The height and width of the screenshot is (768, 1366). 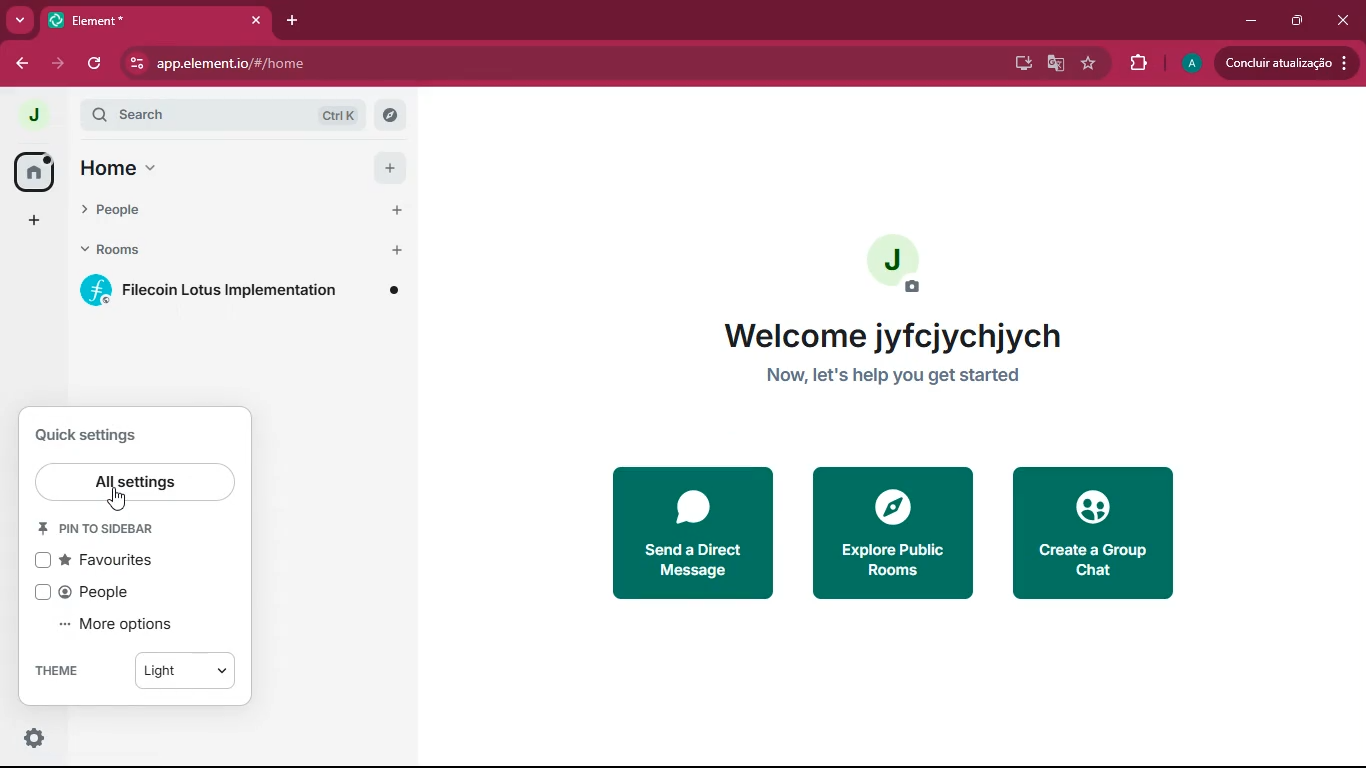 I want to click on app.element.io/#/home, so click(x=323, y=63).